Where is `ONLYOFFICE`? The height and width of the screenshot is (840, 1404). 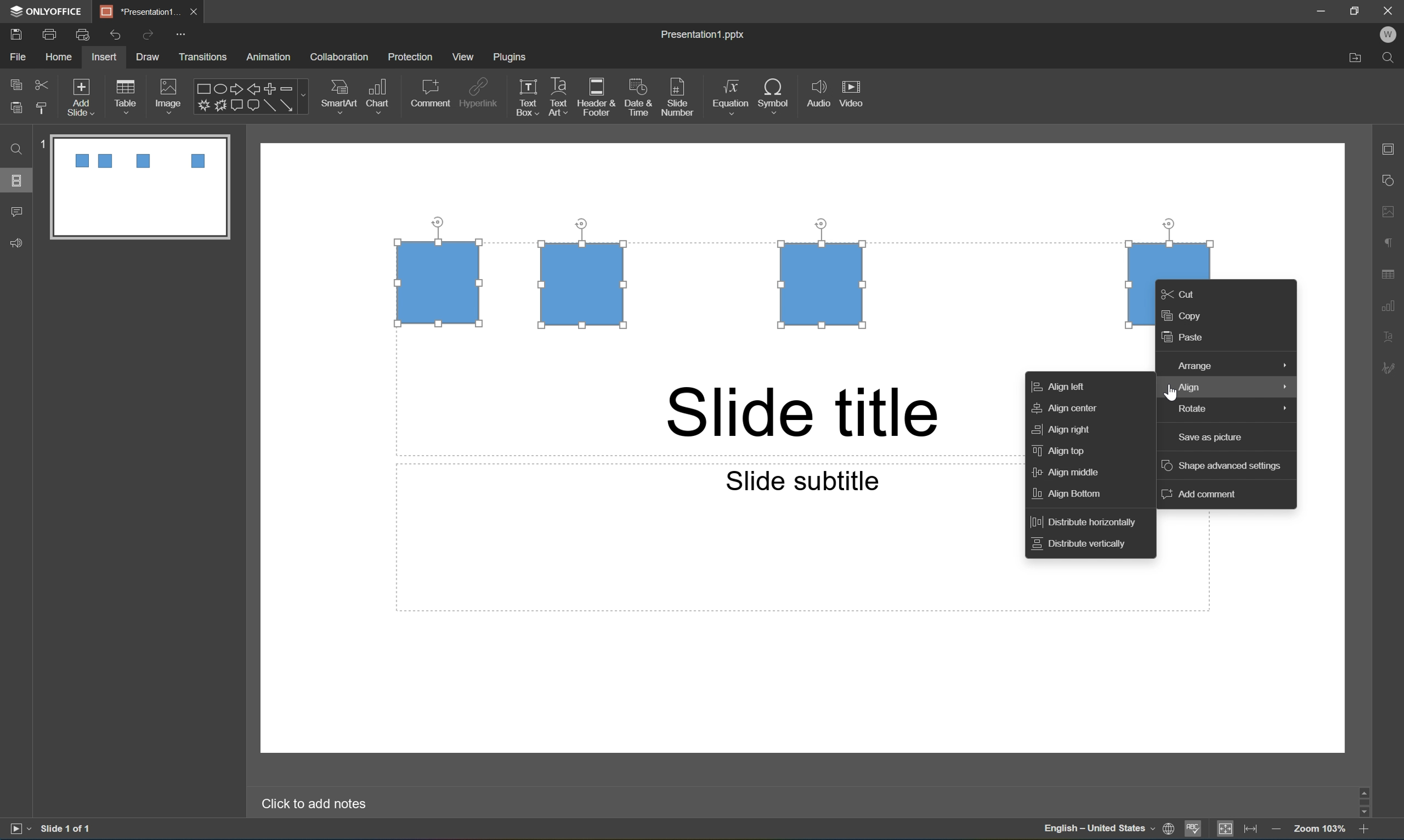 ONLYOFFICE is located at coordinates (48, 10).